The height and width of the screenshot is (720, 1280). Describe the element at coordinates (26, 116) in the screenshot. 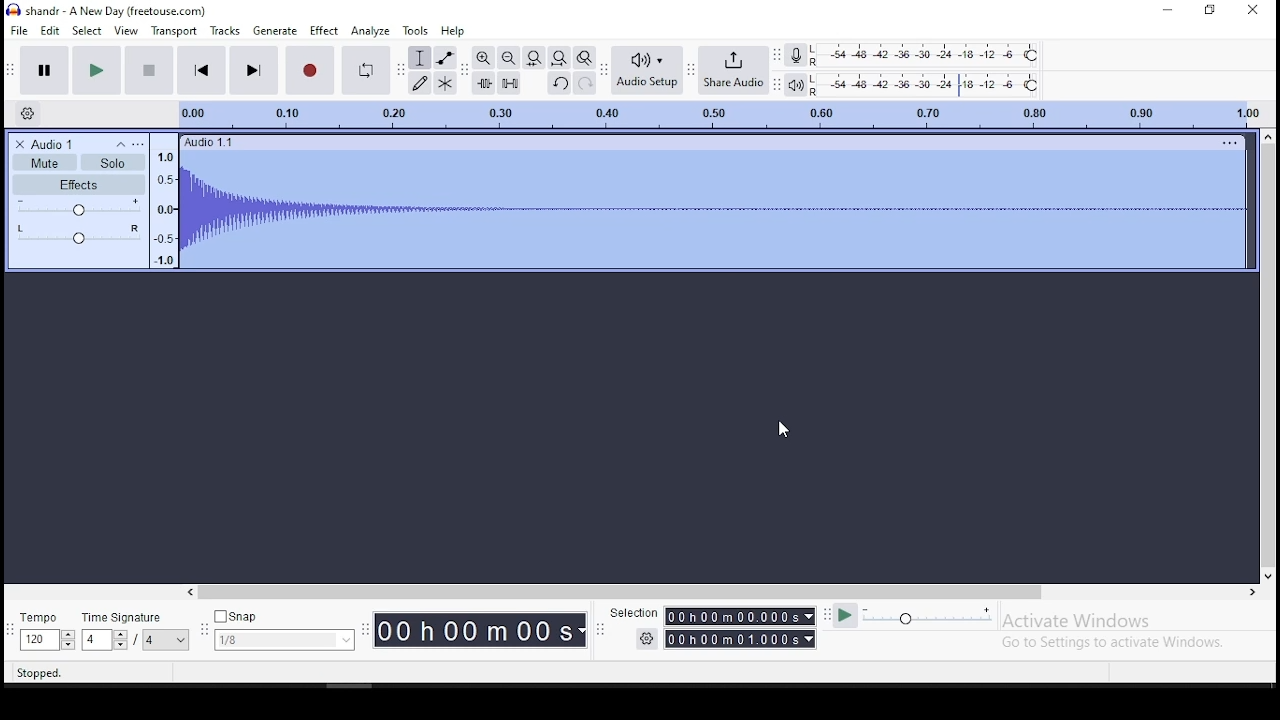

I see `timeline settings` at that location.